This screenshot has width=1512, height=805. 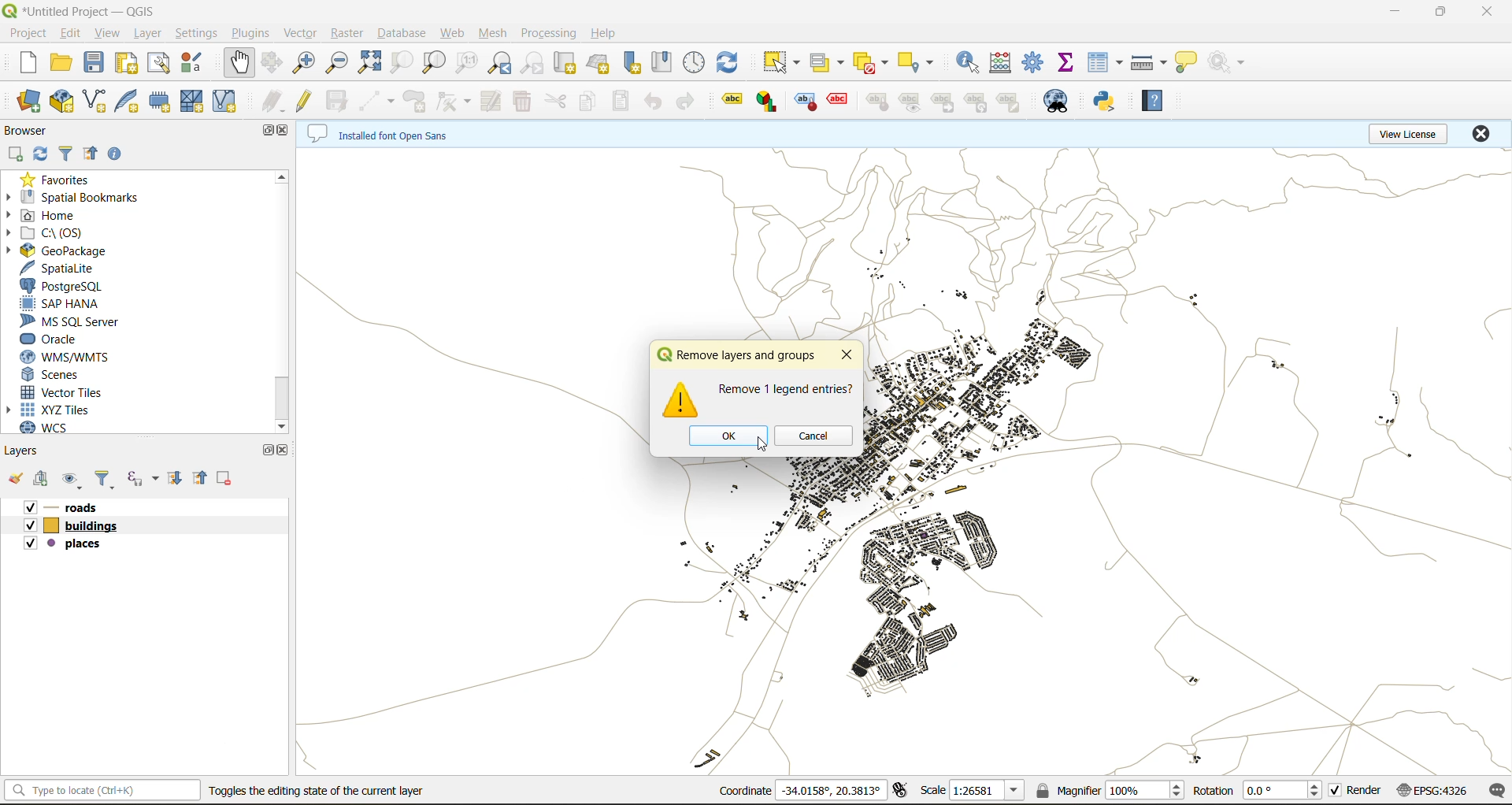 I want to click on wms, so click(x=86, y=359).